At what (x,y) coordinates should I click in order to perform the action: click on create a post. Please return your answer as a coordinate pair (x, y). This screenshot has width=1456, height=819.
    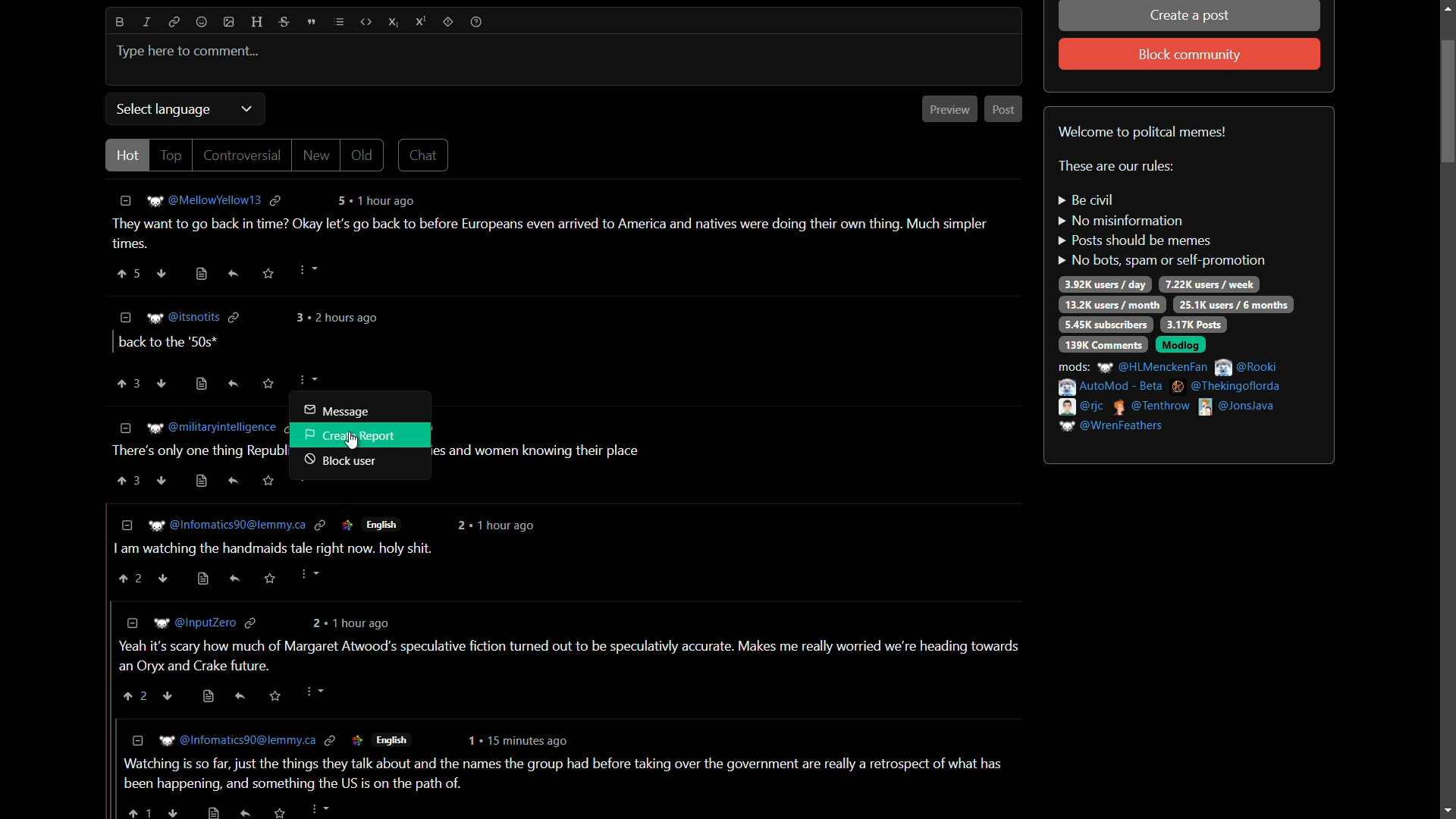
    Looking at the image, I should click on (1191, 17).